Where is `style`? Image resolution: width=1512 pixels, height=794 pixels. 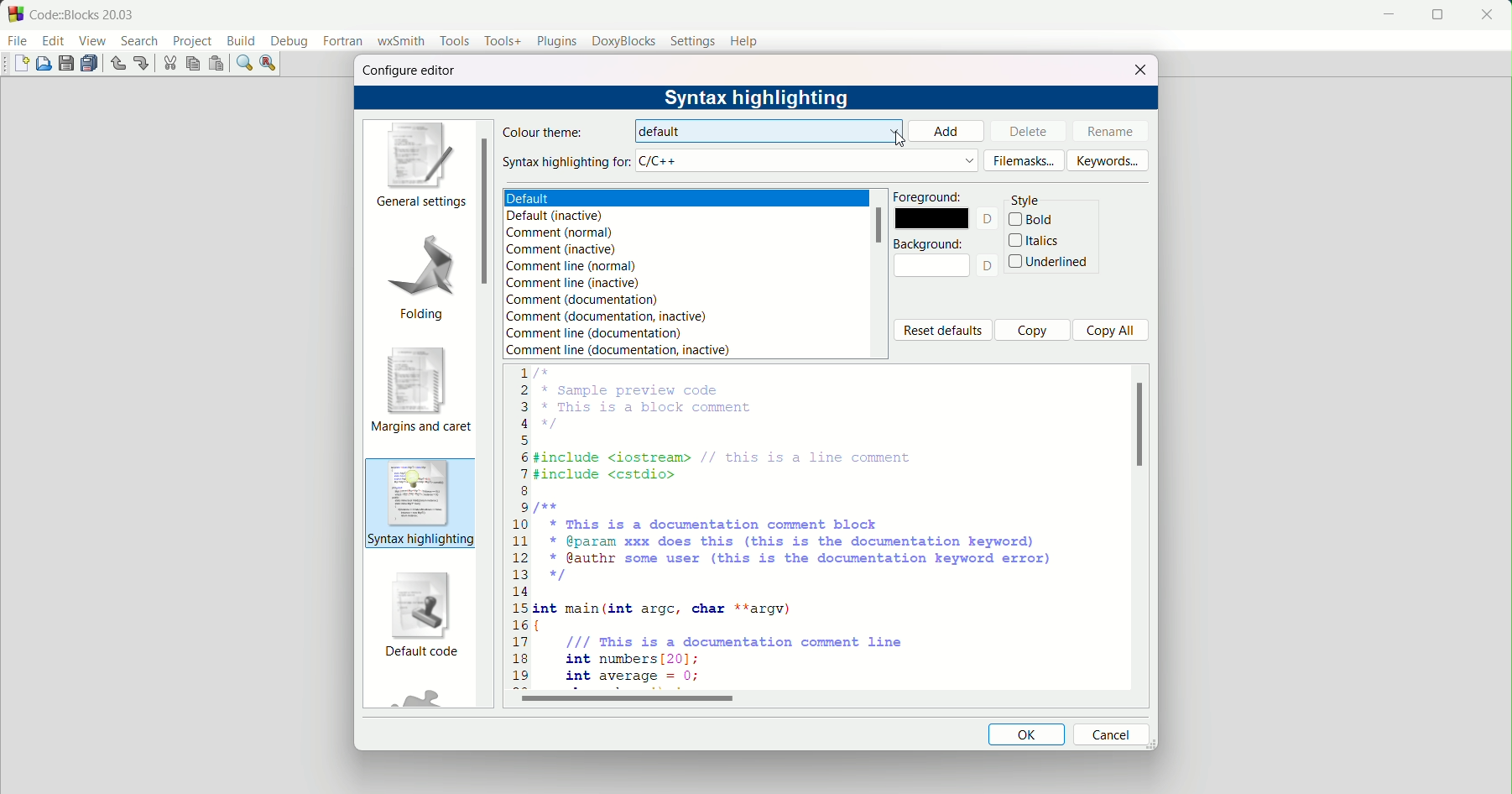 style is located at coordinates (1028, 201).